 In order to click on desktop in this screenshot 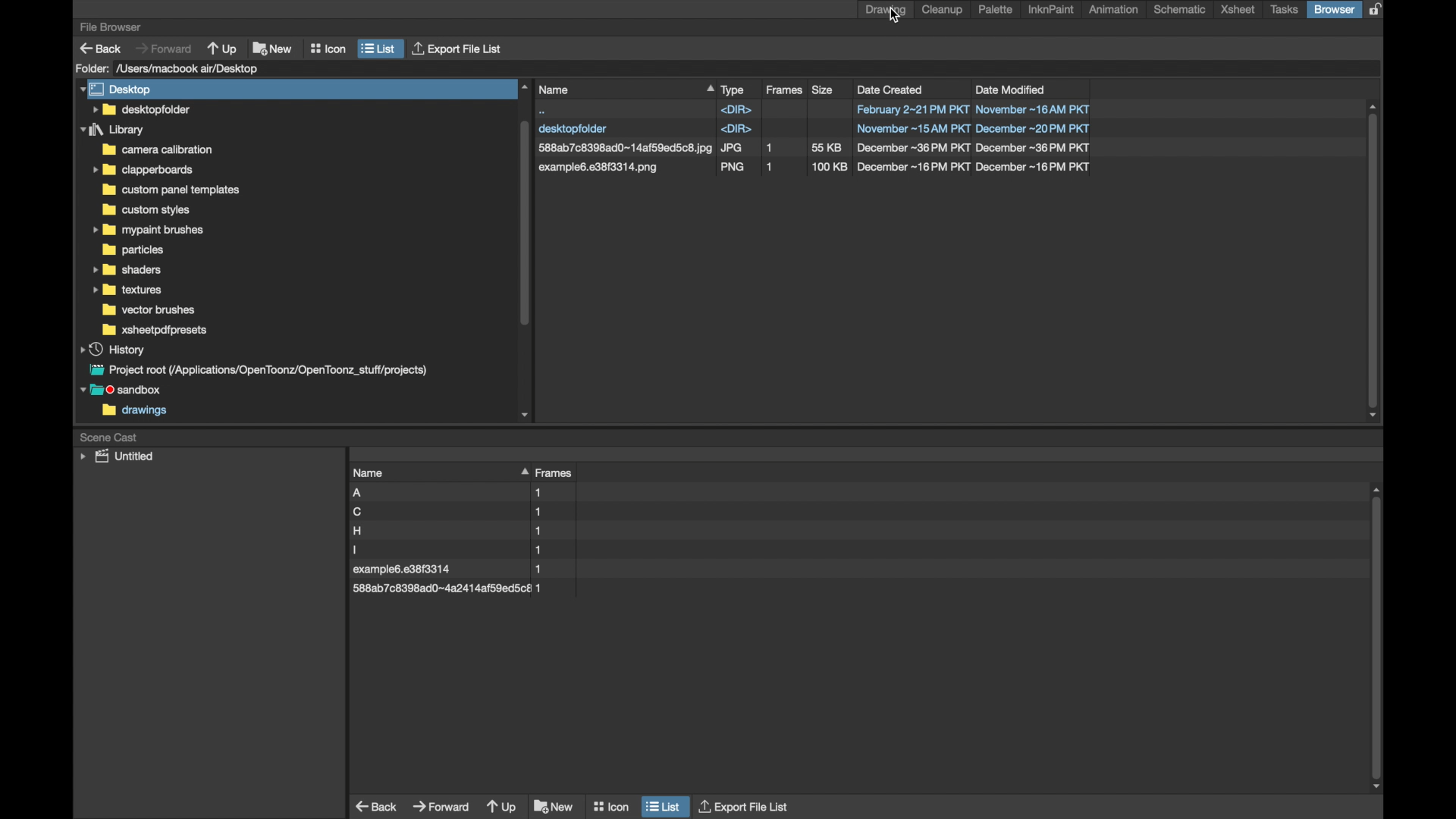, I will do `click(118, 89)`.